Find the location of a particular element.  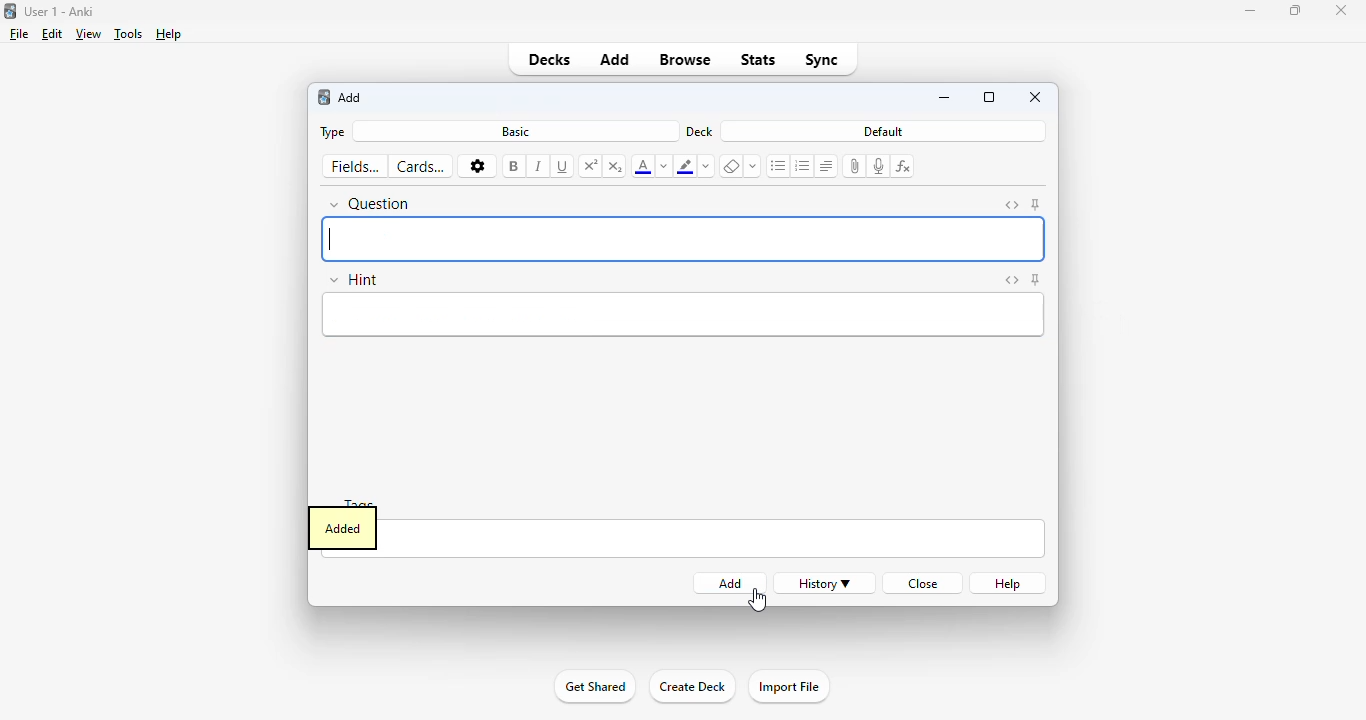

add is located at coordinates (349, 97).